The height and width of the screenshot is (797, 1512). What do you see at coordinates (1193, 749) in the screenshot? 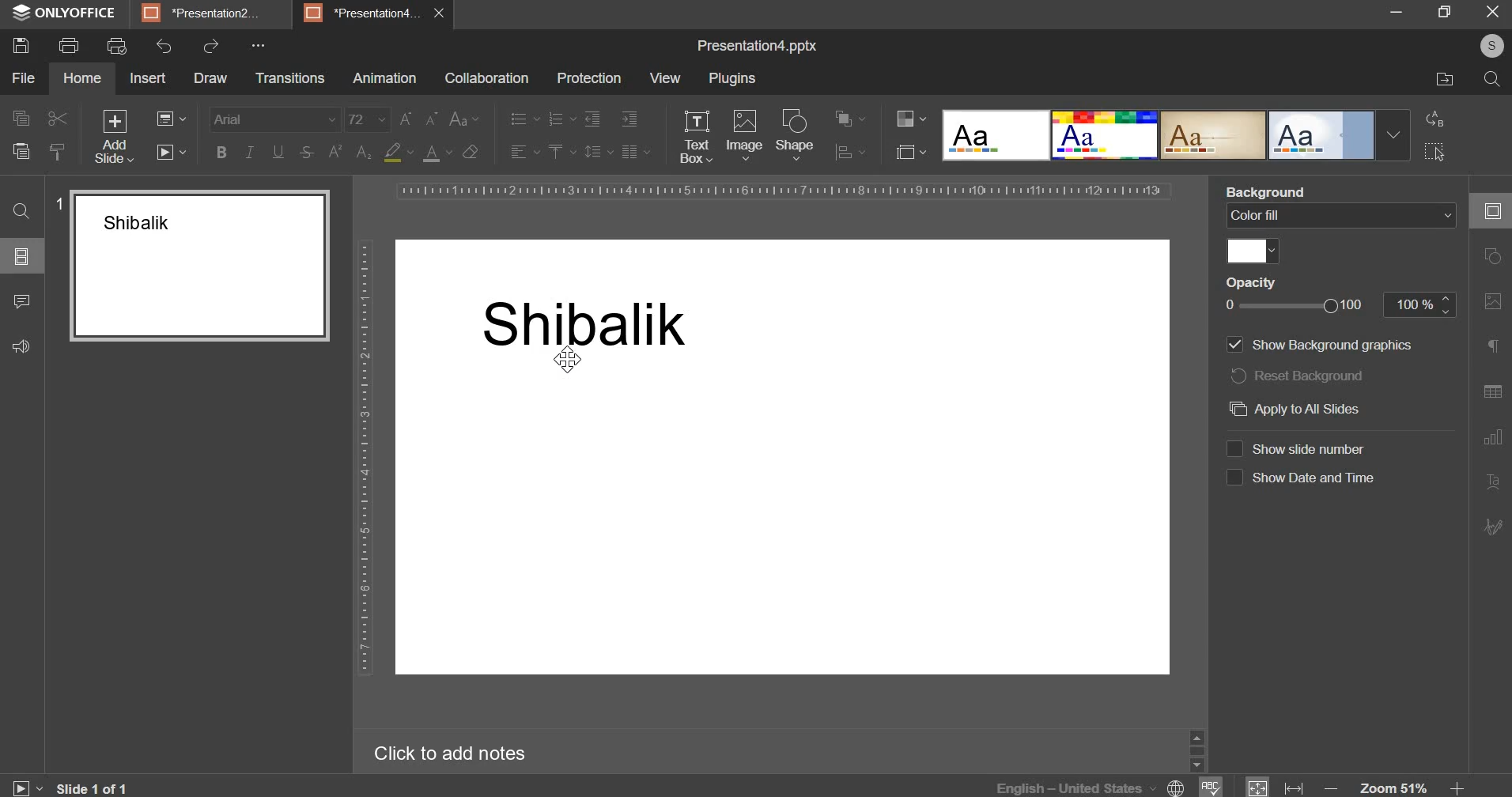
I see `scroll bar` at bounding box center [1193, 749].